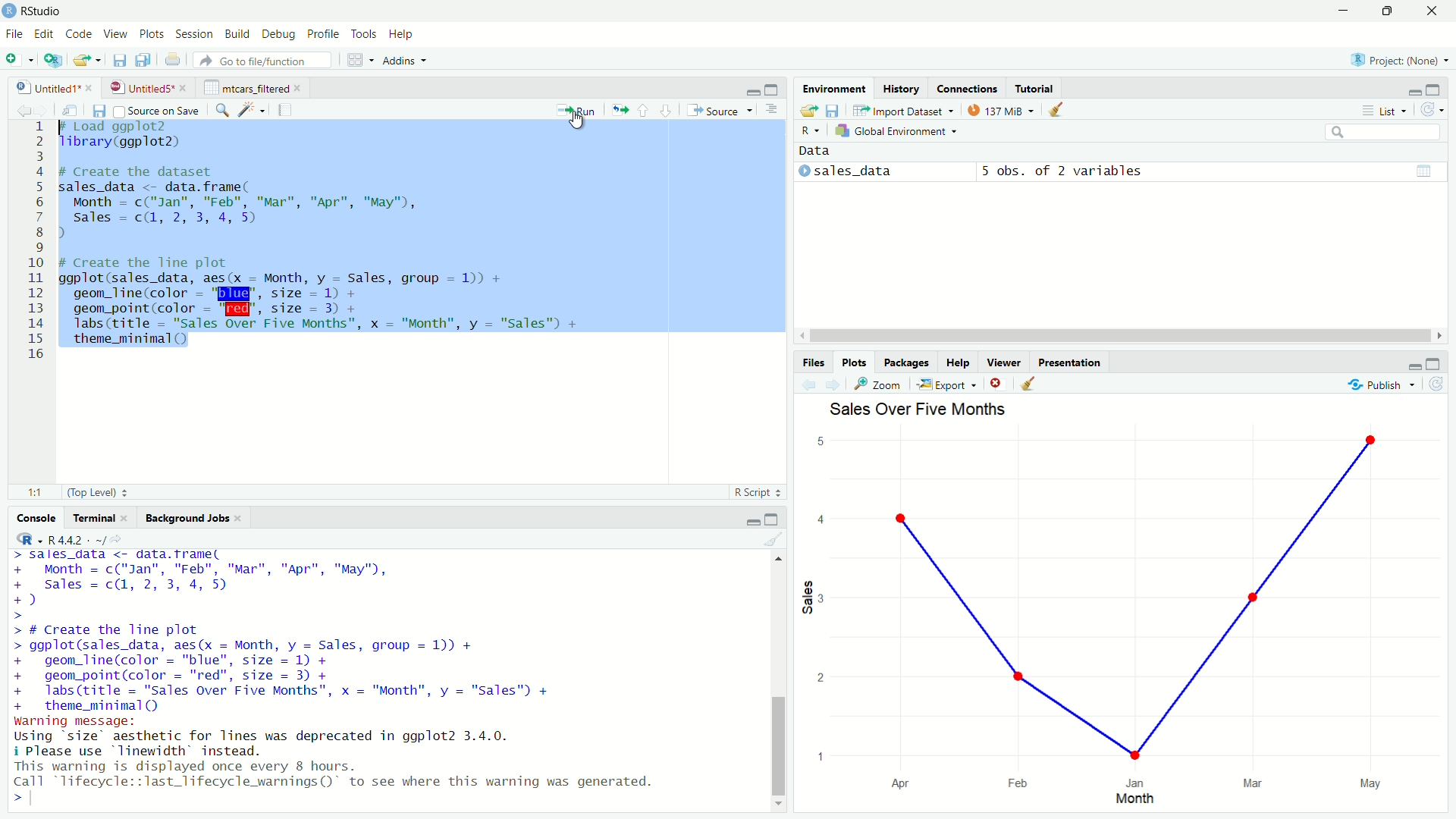 The image size is (1456, 819). What do you see at coordinates (1056, 109) in the screenshot?
I see `clear all plots` at bounding box center [1056, 109].